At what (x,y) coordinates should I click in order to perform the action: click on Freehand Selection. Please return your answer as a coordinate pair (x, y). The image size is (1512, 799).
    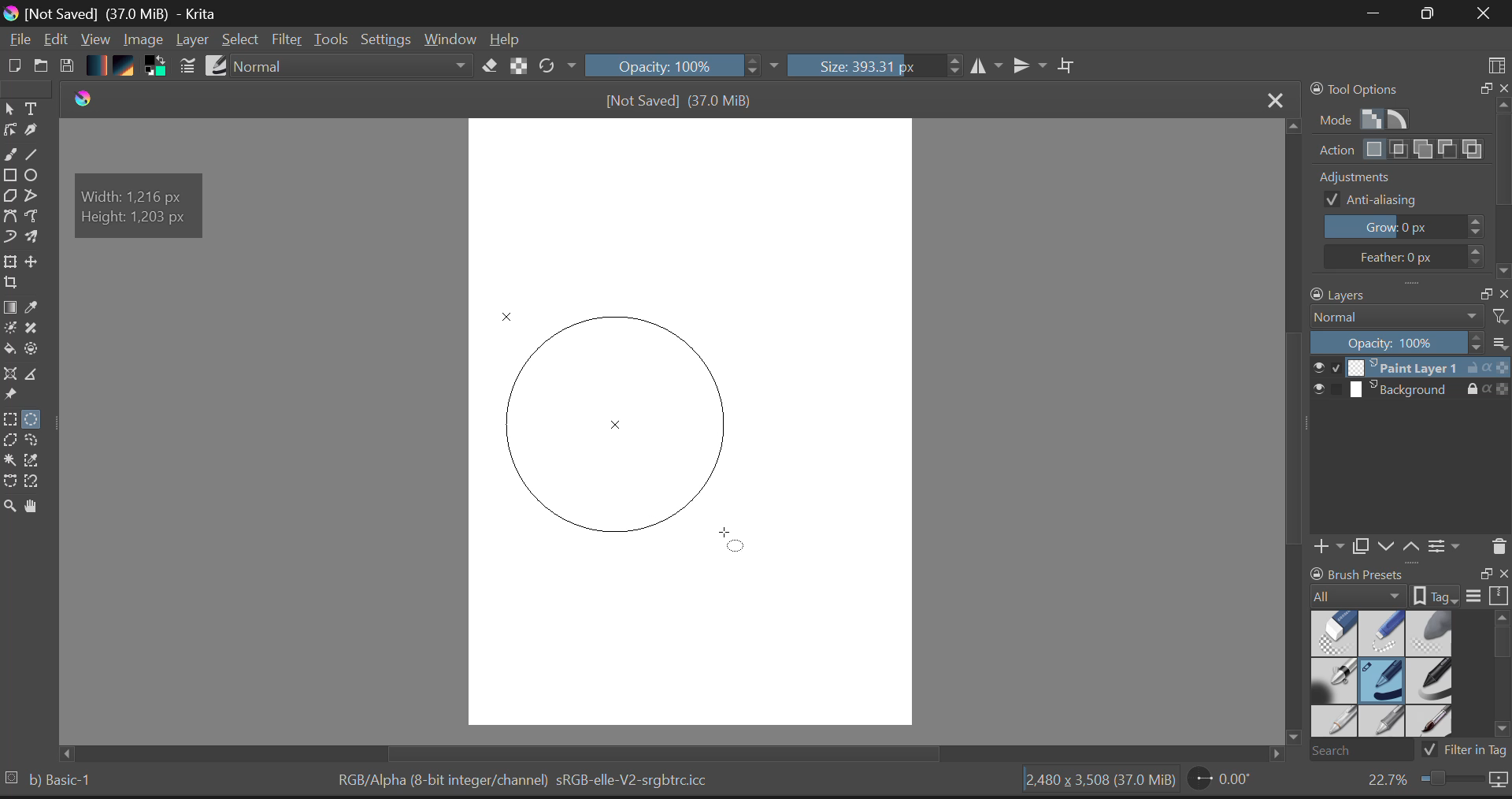
    Looking at the image, I should click on (41, 442).